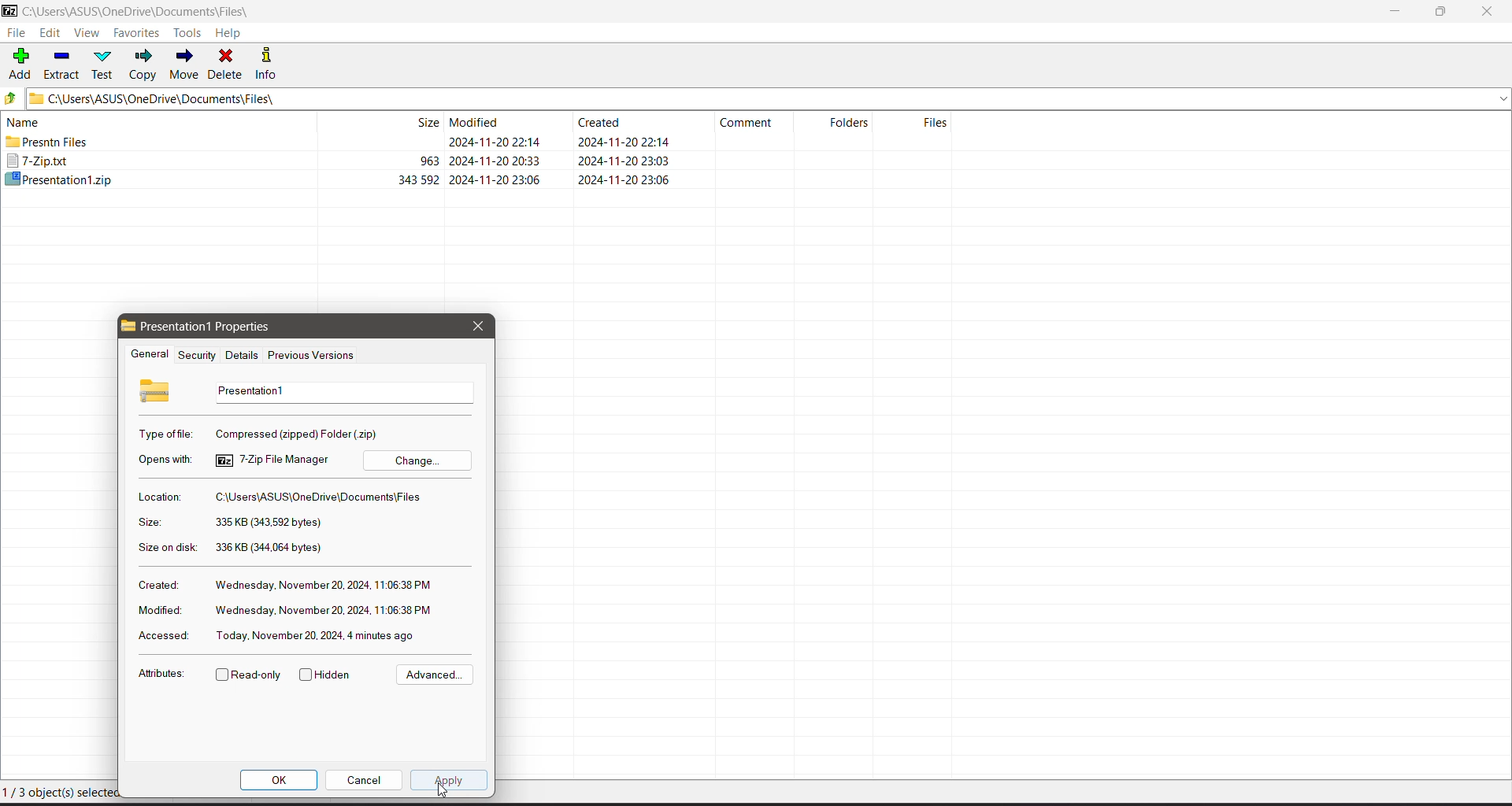 The height and width of the screenshot is (806, 1512). What do you see at coordinates (280, 780) in the screenshot?
I see `OK` at bounding box center [280, 780].